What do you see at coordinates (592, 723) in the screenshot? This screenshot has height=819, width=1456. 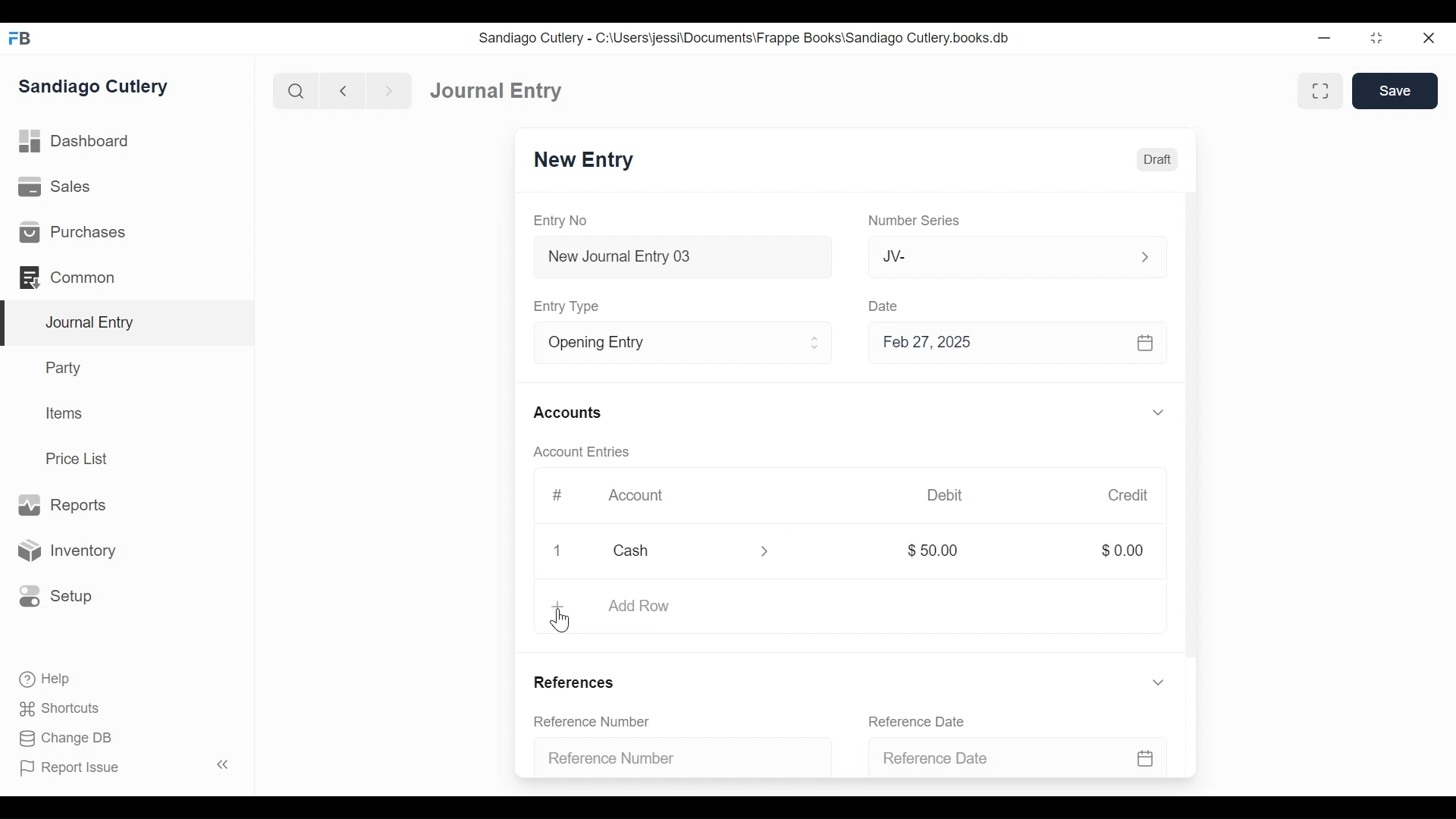 I see `Reference Number` at bounding box center [592, 723].